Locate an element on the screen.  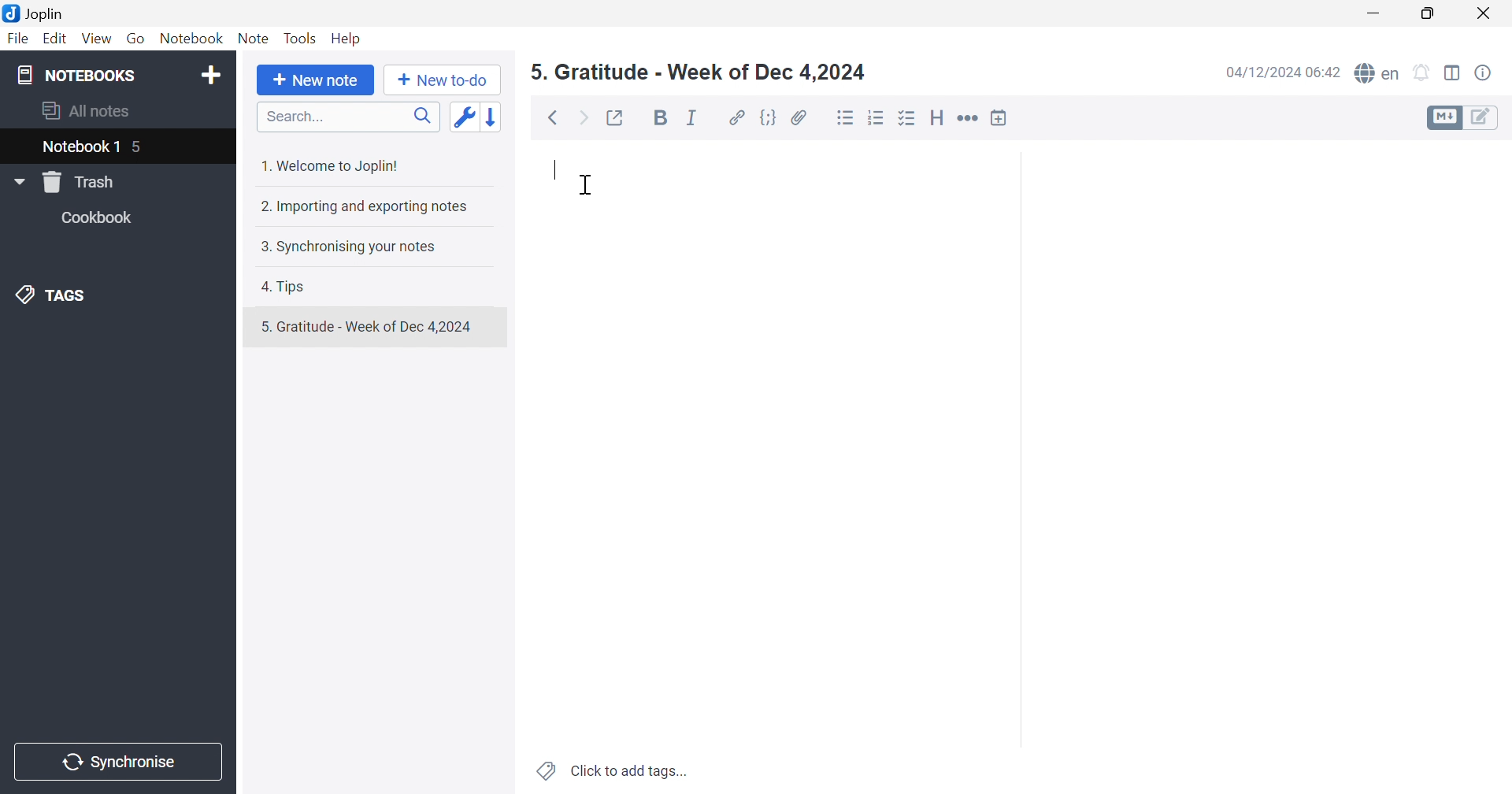
Bold is located at coordinates (658, 117).